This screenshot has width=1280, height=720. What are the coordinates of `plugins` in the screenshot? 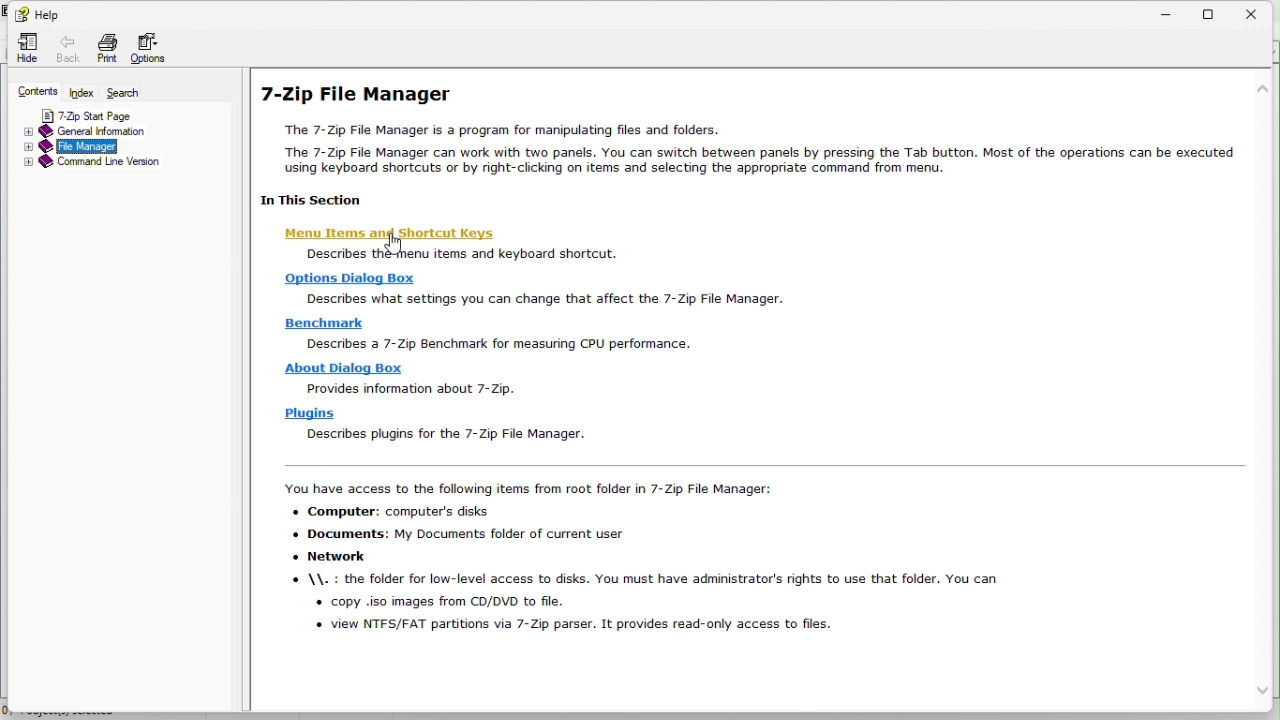 It's located at (313, 415).